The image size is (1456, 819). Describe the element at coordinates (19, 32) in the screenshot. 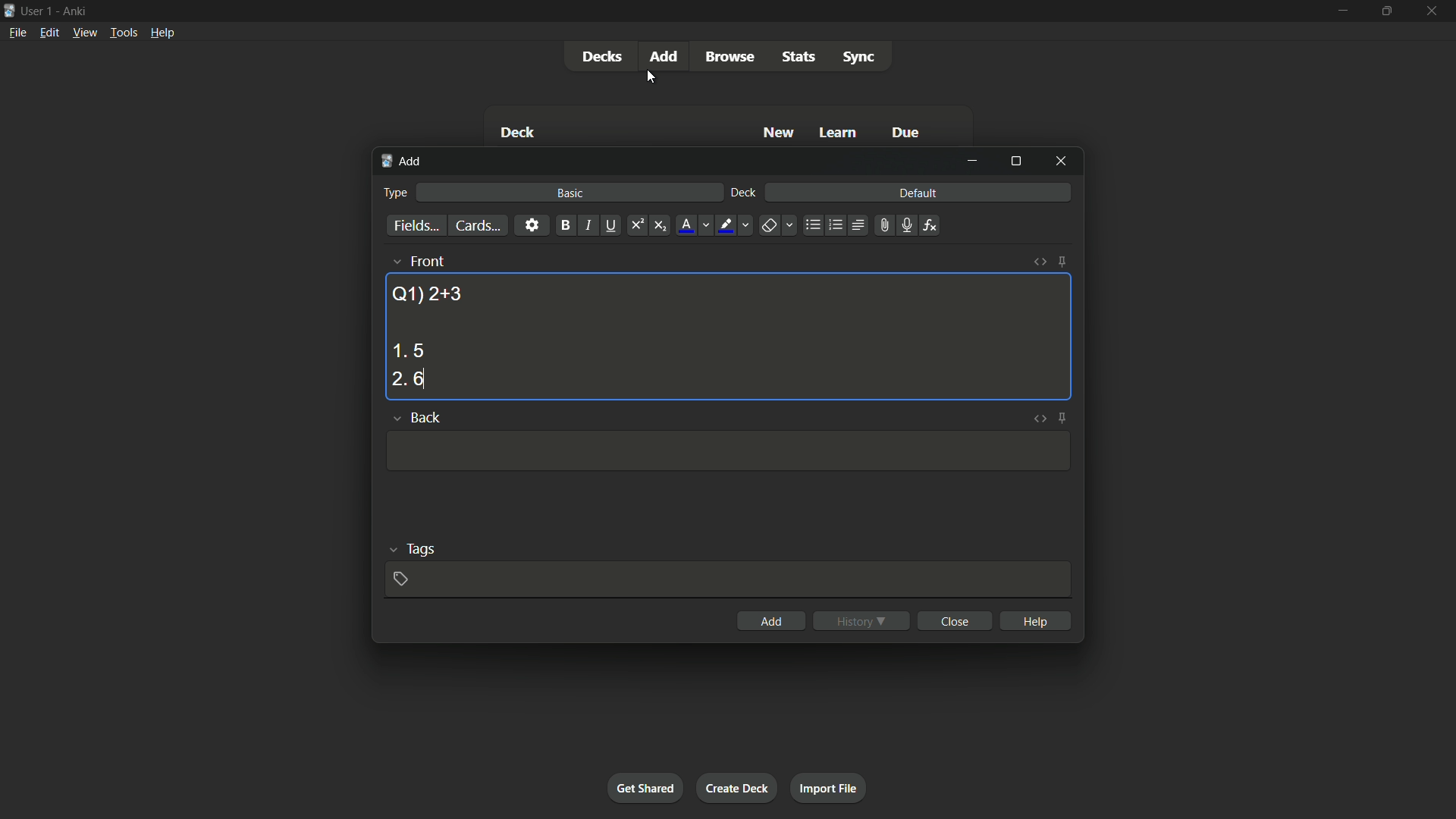

I see `file menu` at that location.